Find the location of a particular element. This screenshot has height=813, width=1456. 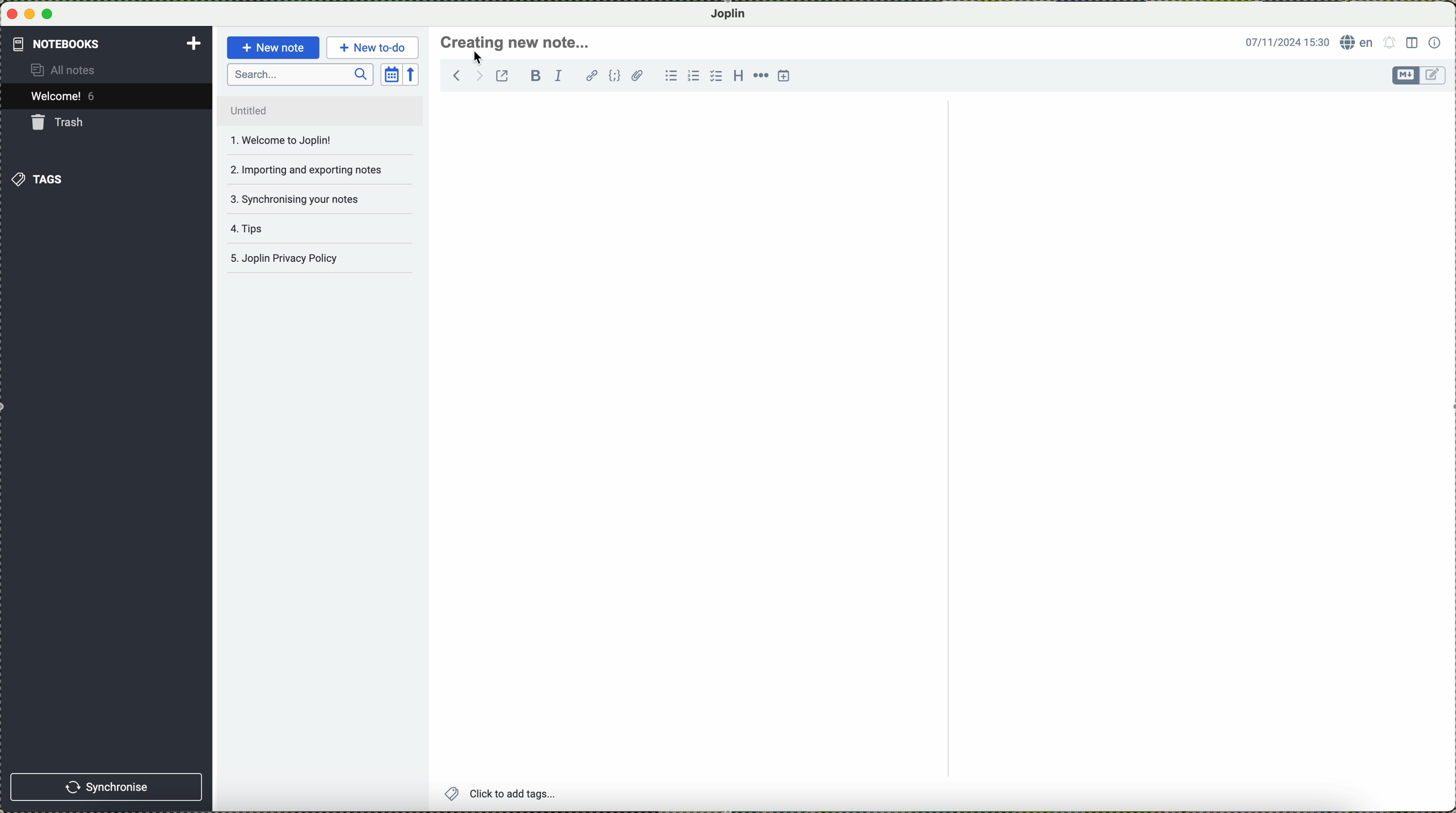

synchronise button is located at coordinates (108, 786).